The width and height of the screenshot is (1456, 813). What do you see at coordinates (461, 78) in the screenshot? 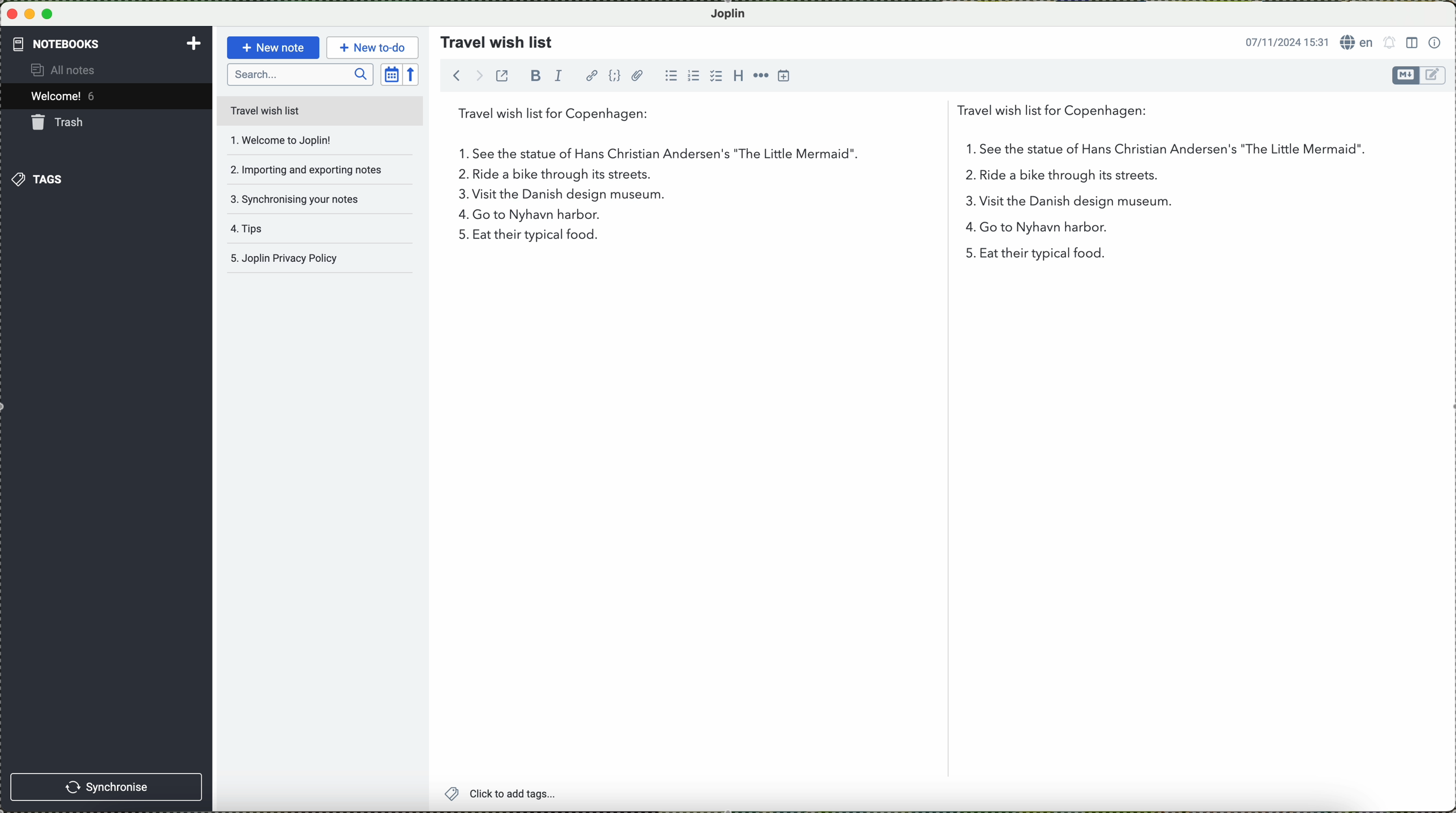
I see `navigate` at bounding box center [461, 78].